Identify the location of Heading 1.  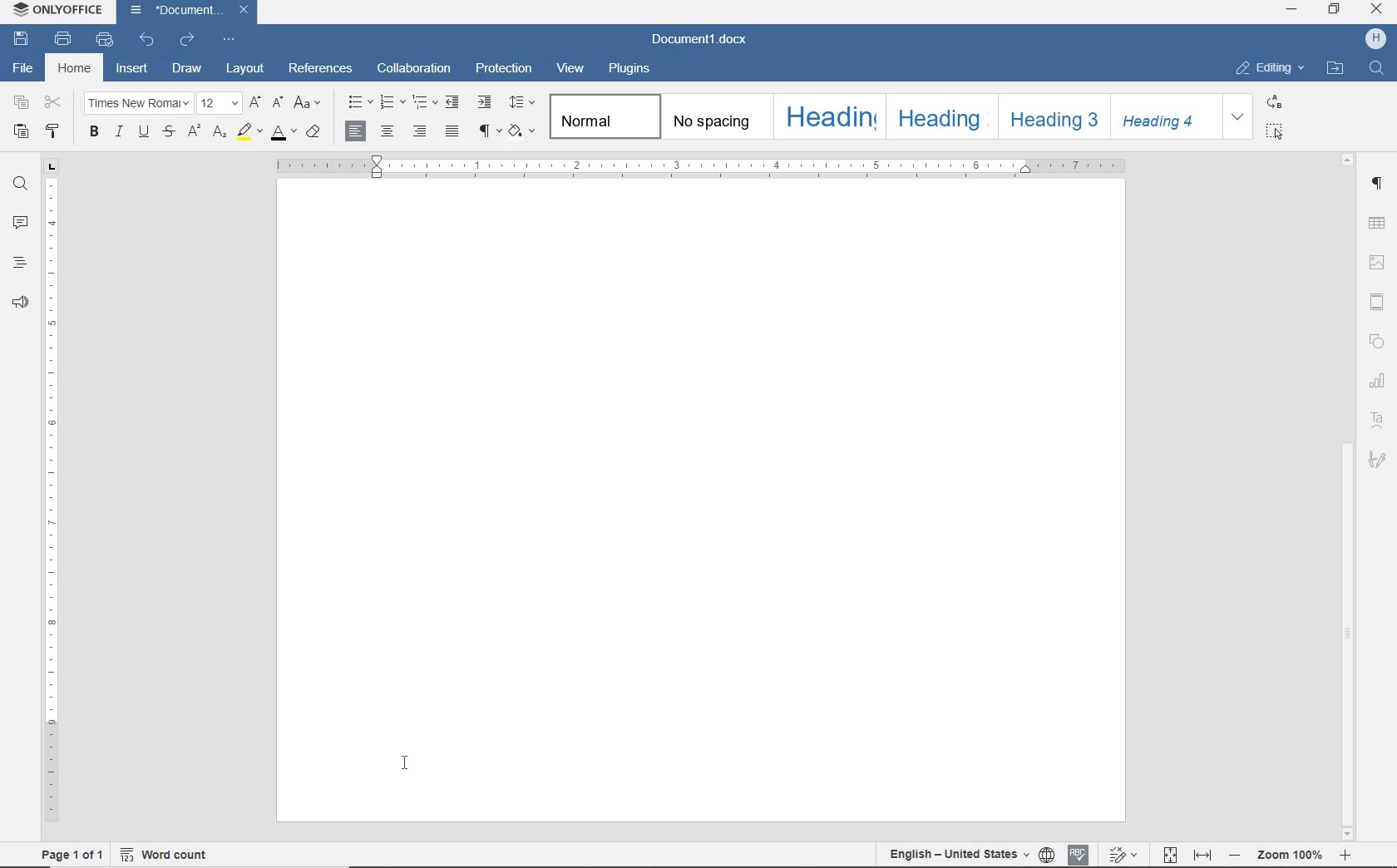
(832, 117).